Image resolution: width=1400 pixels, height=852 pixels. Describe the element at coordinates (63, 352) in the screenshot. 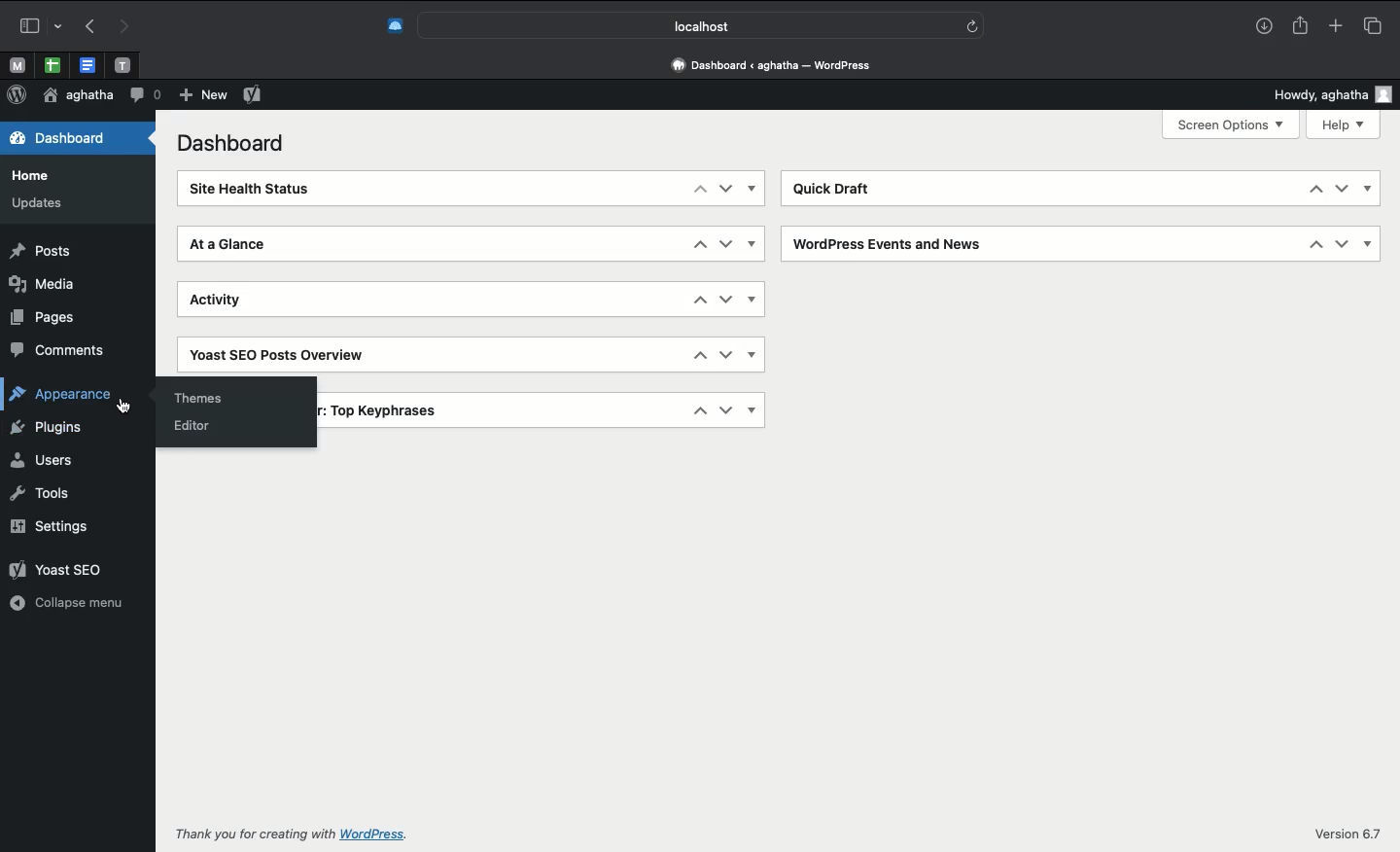

I see `Comments` at that location.